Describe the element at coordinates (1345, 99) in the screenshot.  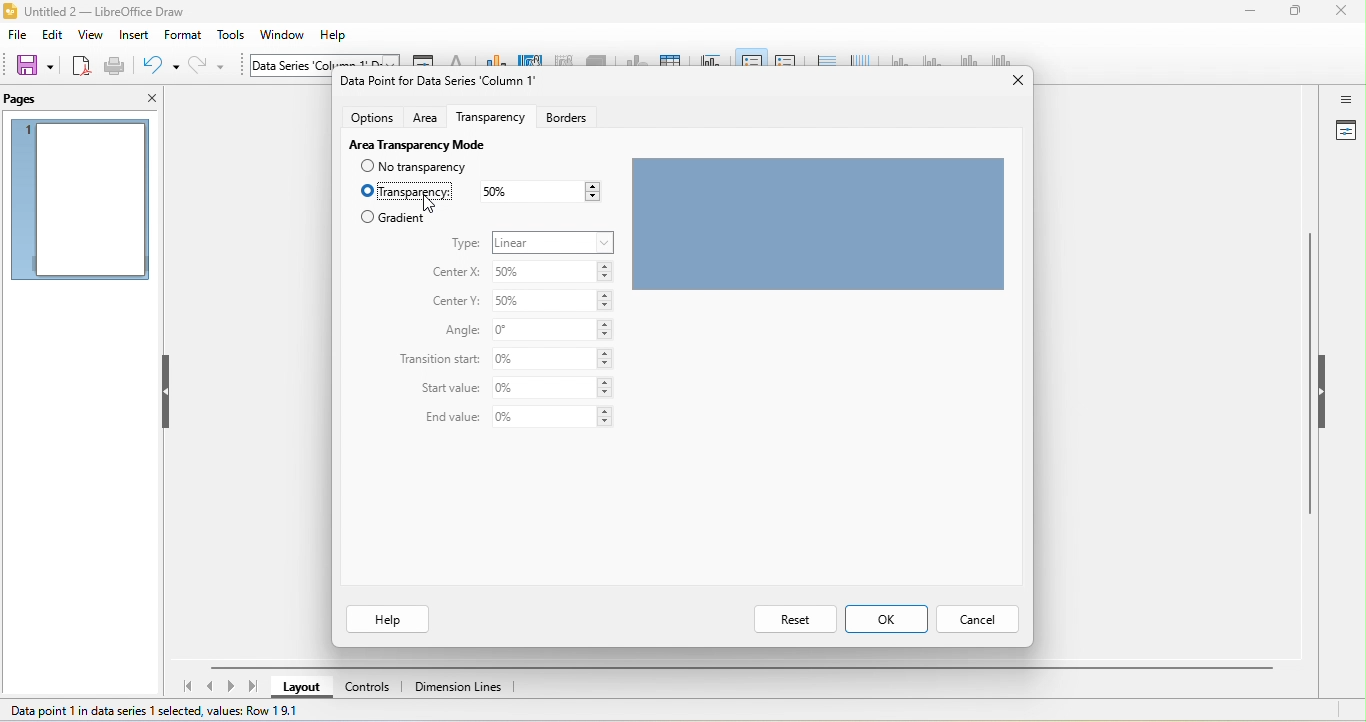
I see `toggle sidebar` at that location.